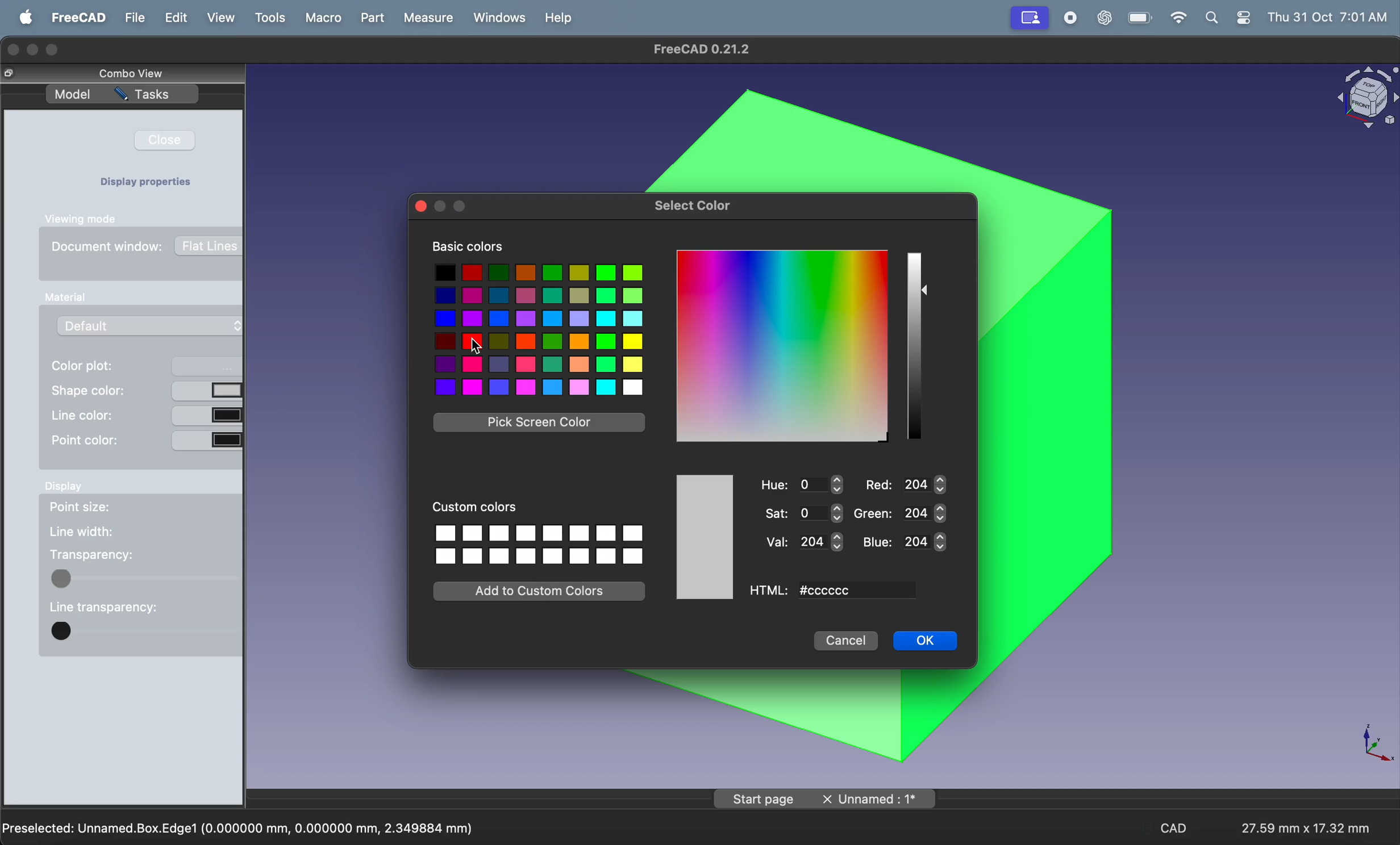  I want to click on vewing mode, so click(87, 219).